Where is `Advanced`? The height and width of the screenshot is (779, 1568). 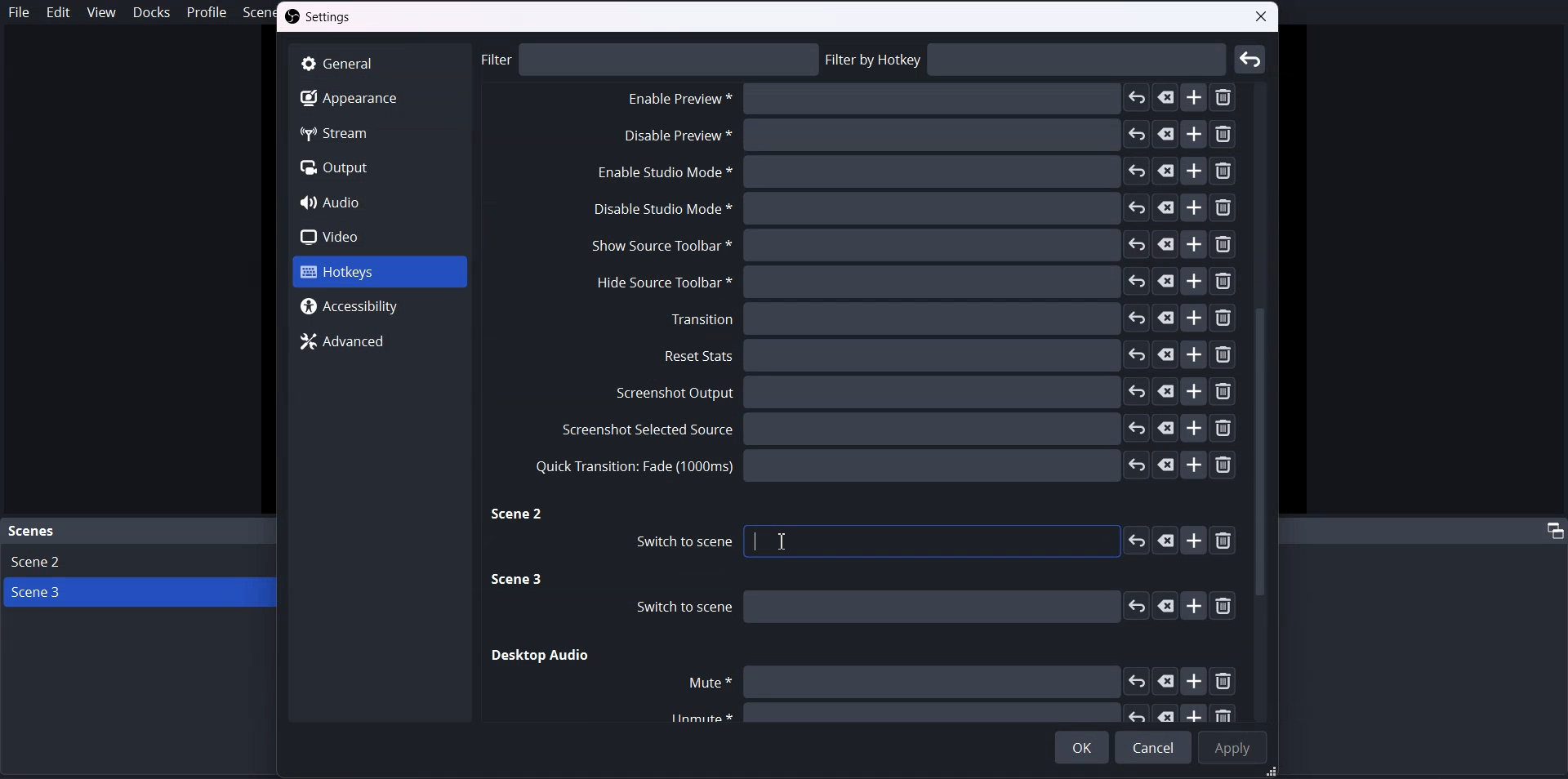 Advanced is located at coordinates (381, 340).